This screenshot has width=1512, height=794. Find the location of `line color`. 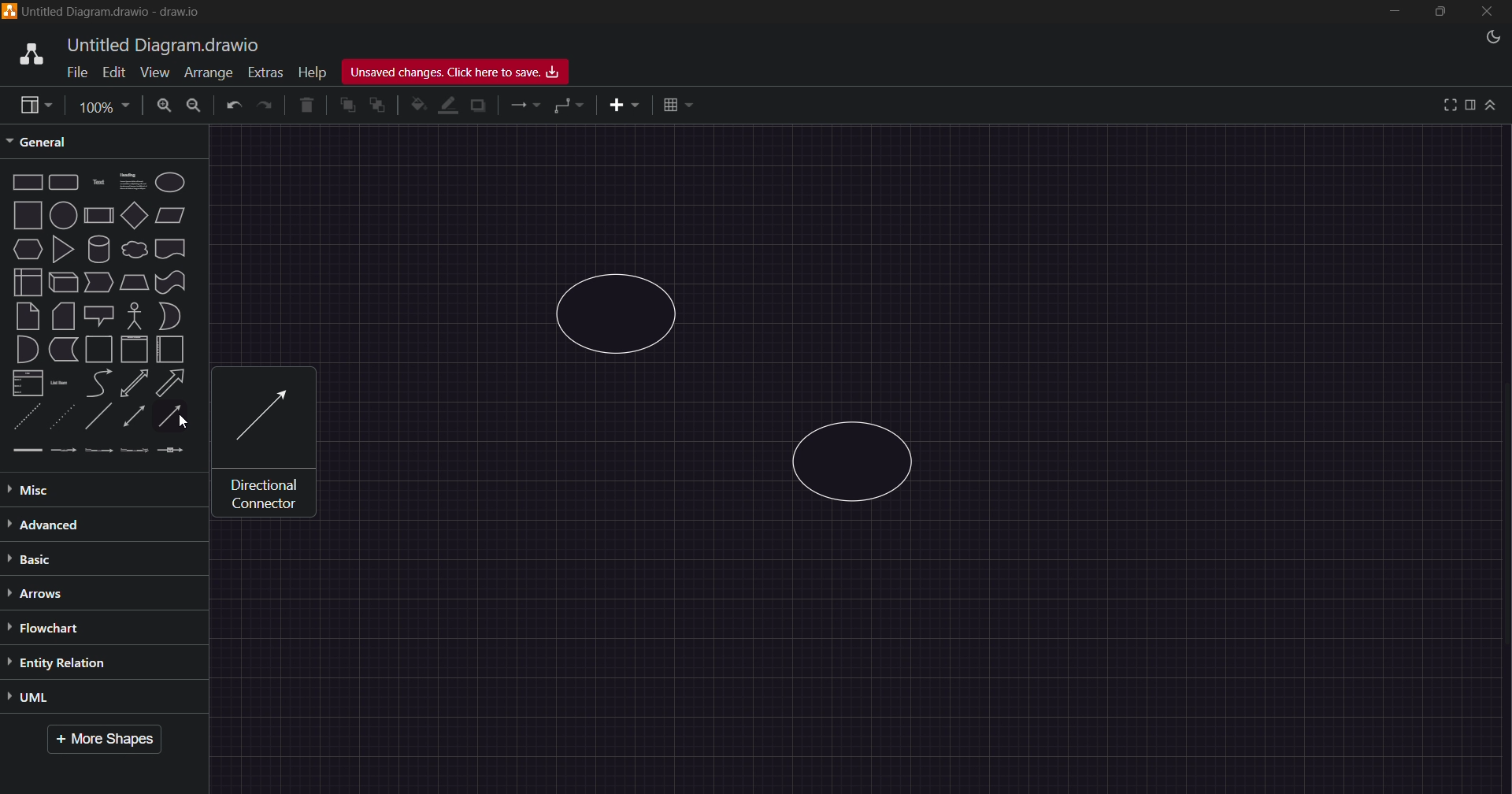

line color is located at coordinates (448, 105).